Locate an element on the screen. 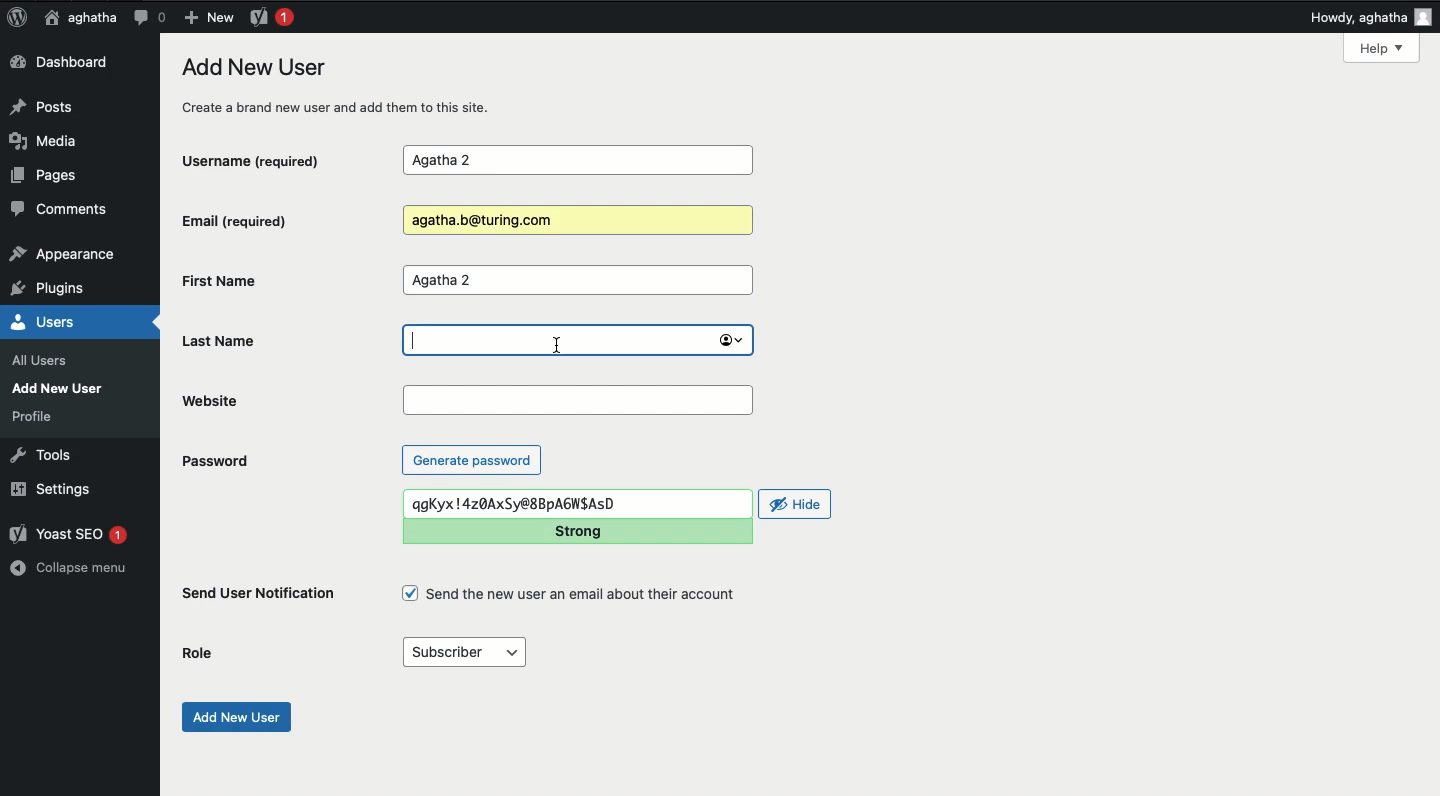 Image resolution: width=1440 pixels, height=796 pixels. Yoast is located at coordinates (270, 16).